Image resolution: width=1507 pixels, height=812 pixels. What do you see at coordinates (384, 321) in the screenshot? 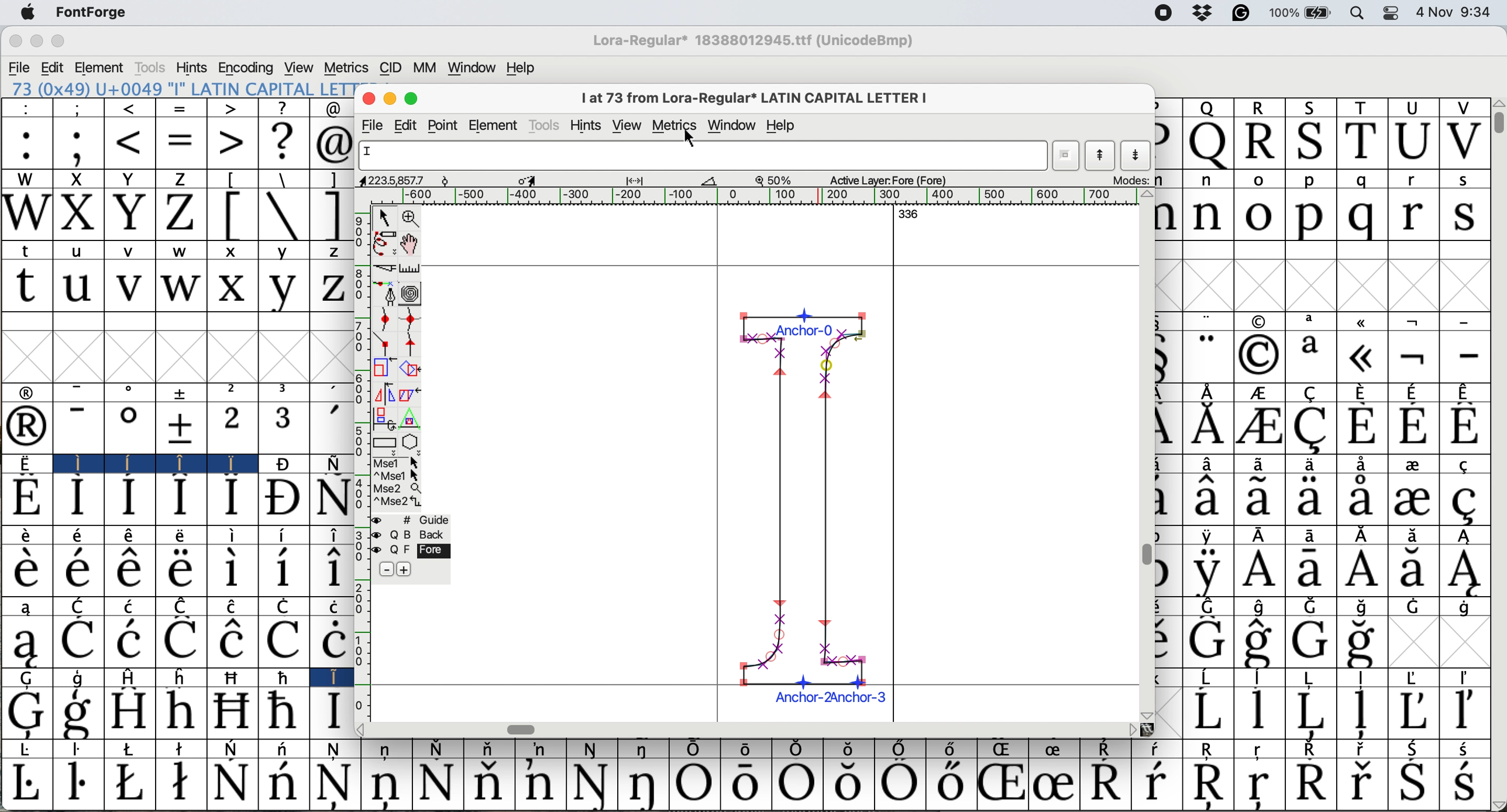
I see `add a curve point` at bounding box center [384, 321].